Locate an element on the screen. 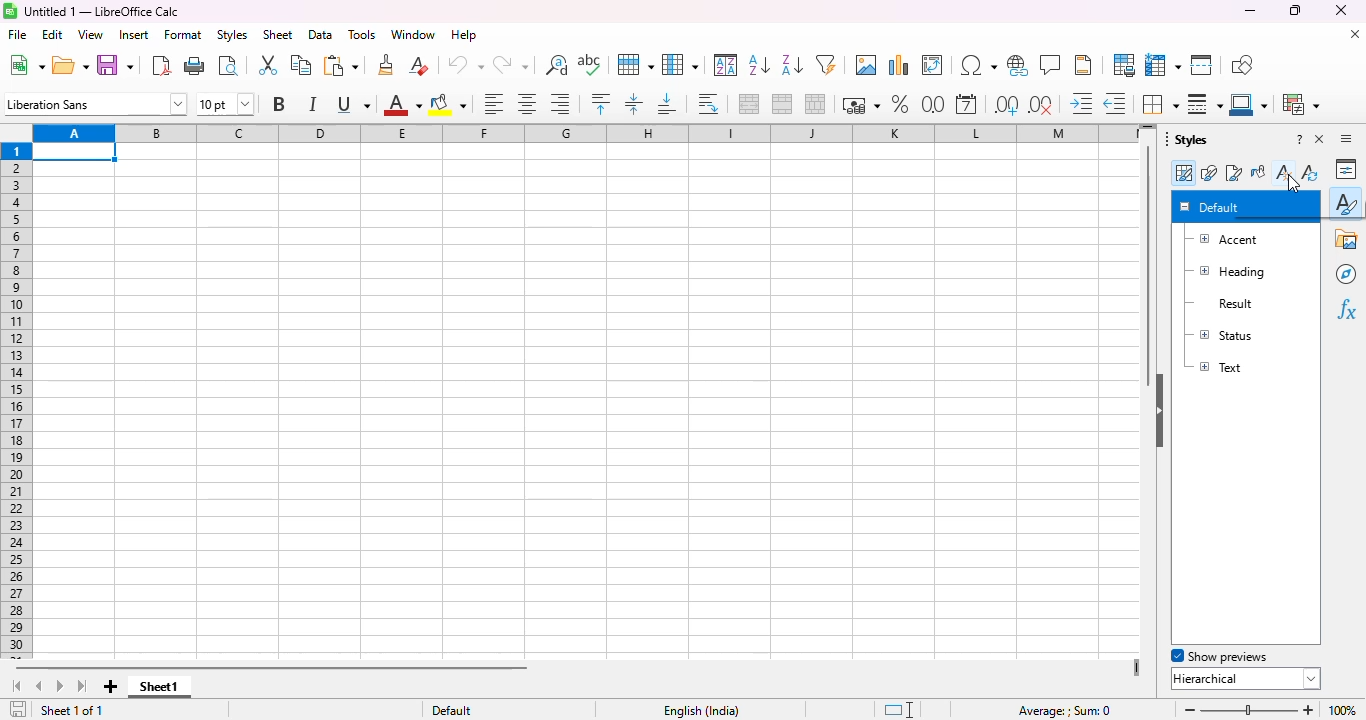 The image size is (1366, 720). format as date is located at coordinates (966, 104).